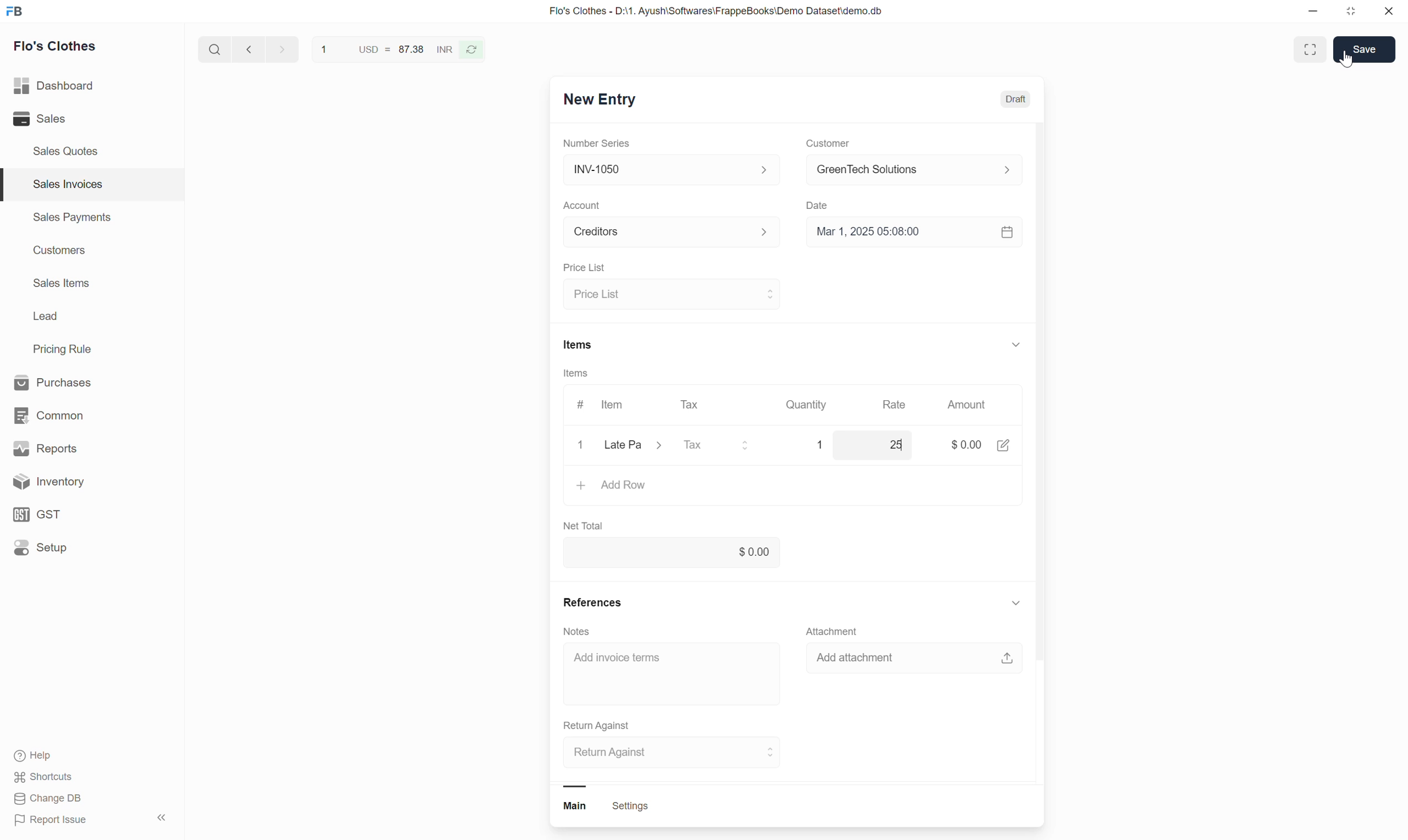  What do you see at coordinates (163, 818) in the screenshot?
I see `hide sidebar` at bounding box center [163, 818].